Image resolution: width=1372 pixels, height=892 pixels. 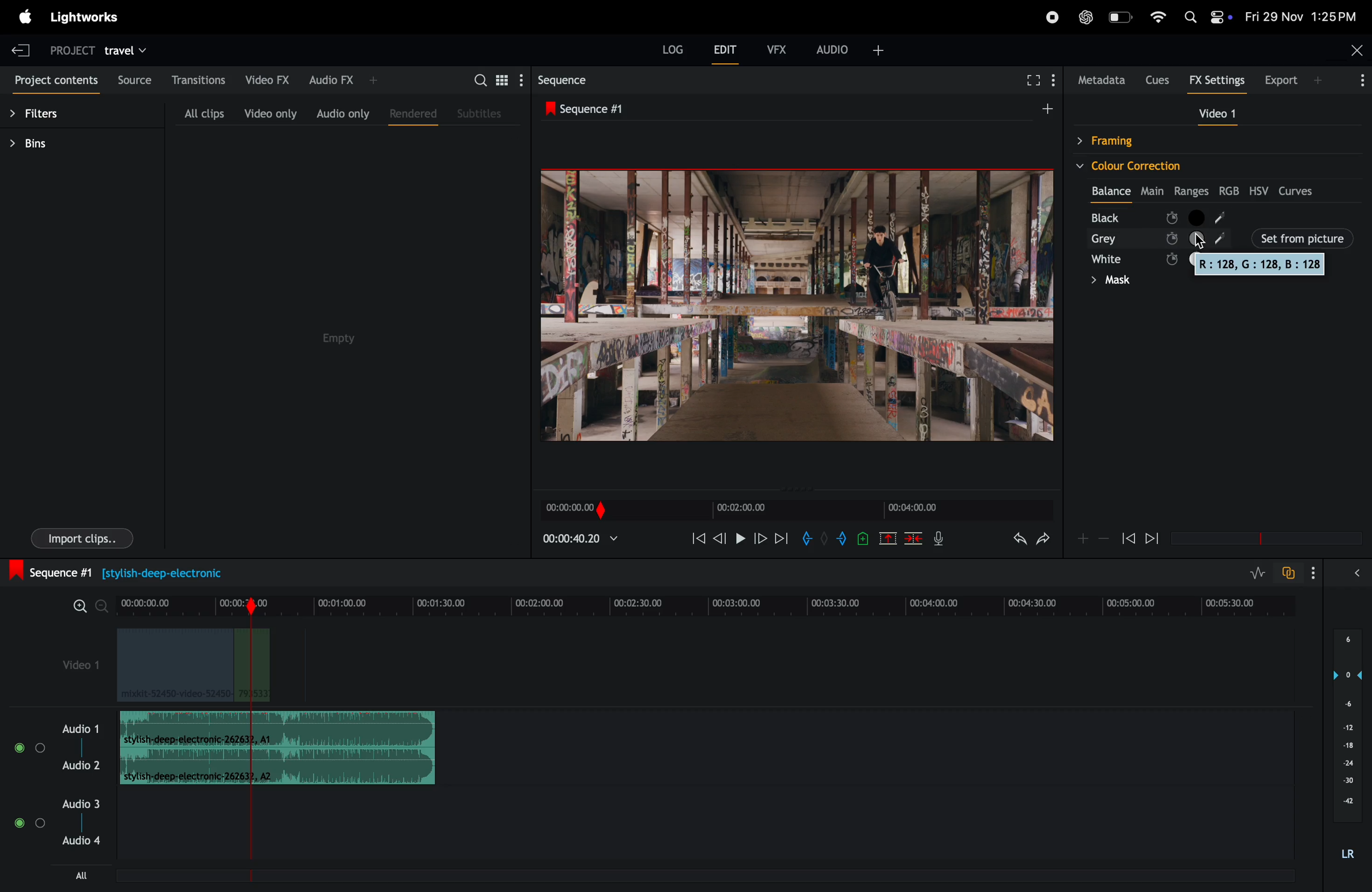 What do you see at coordinates (504, 80) in the screenshot?
I see `toggle between list view` at bounding box center [504, 80].